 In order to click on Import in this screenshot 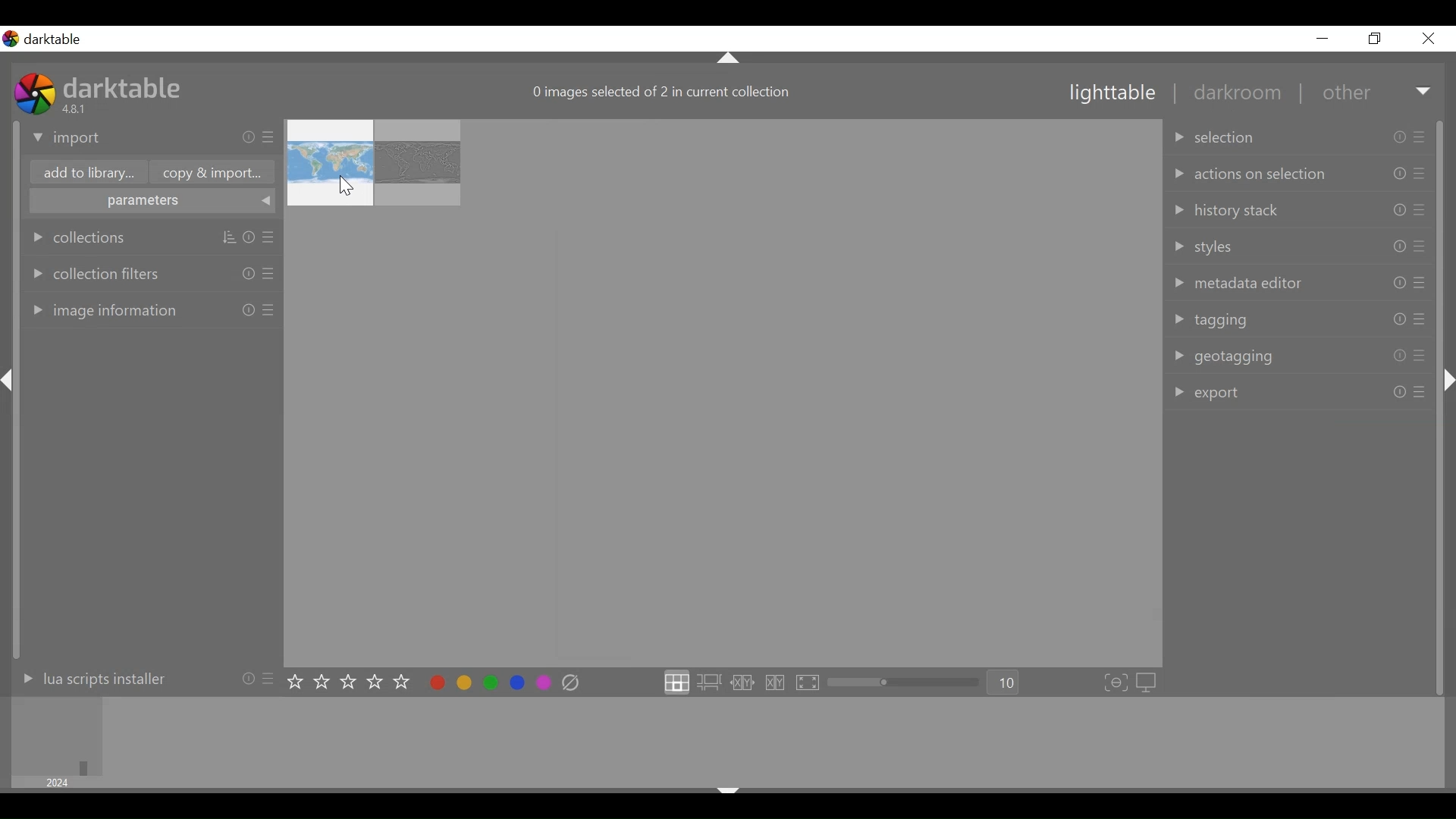, I will do `click(152, 139)`.